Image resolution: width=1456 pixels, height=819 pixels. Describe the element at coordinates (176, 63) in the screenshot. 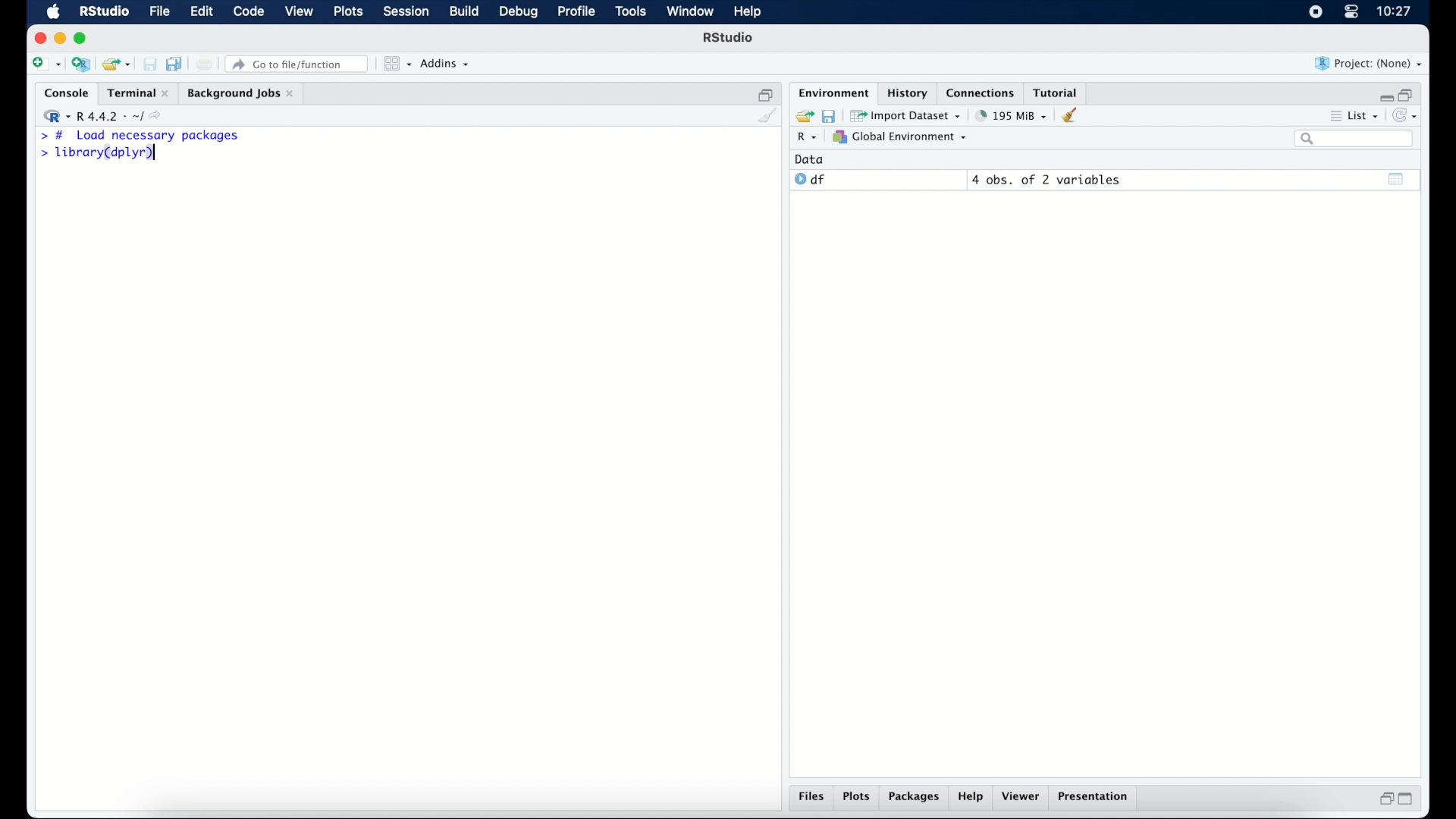

I see `save all documents ` at that location.